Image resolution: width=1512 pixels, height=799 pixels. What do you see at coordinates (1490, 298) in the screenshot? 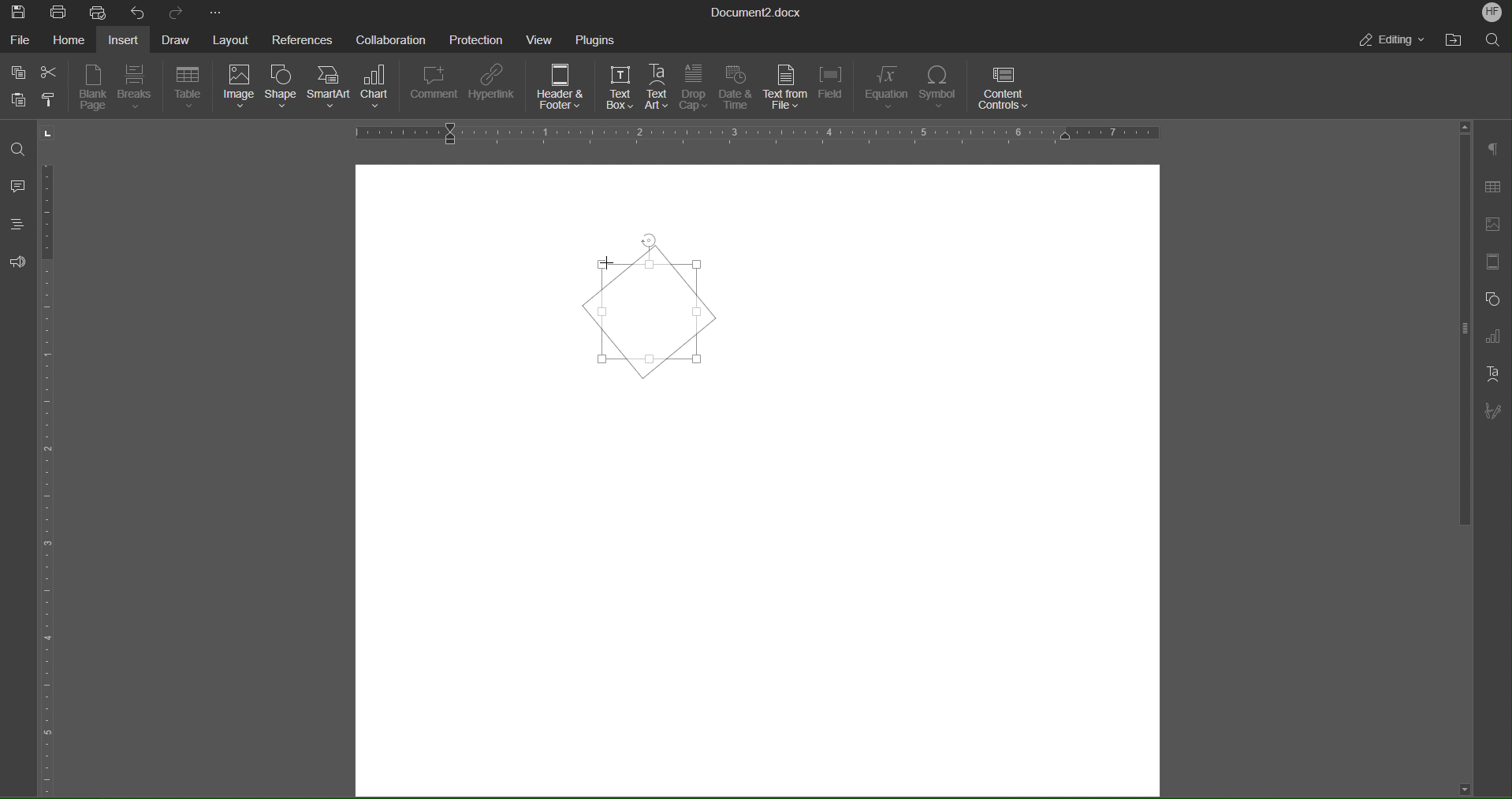
I see `Shape Settings` at bounding box center [1490, 298].